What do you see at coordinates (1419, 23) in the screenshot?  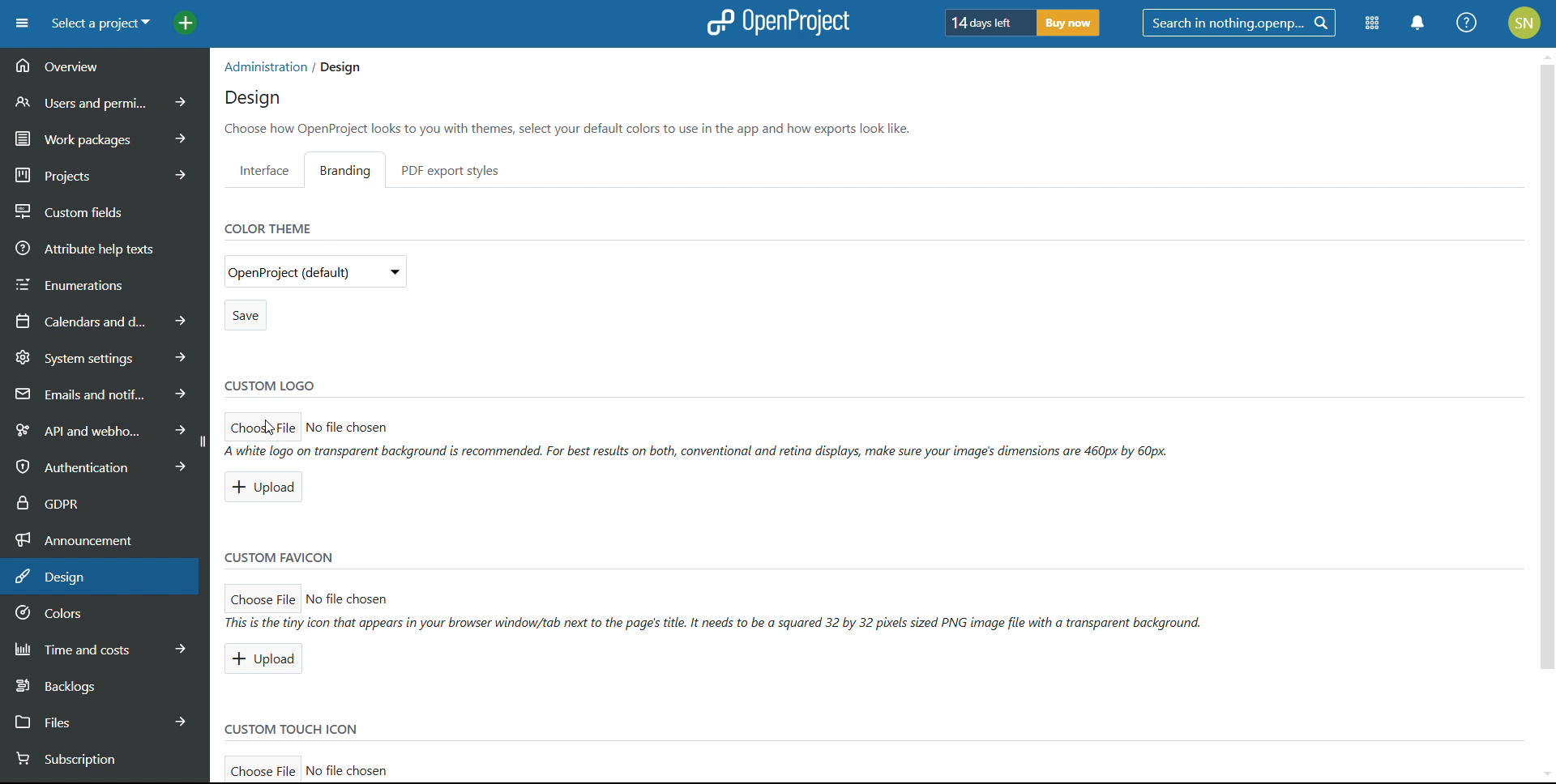 I see `notifications` at bounding box center [1419, 23].